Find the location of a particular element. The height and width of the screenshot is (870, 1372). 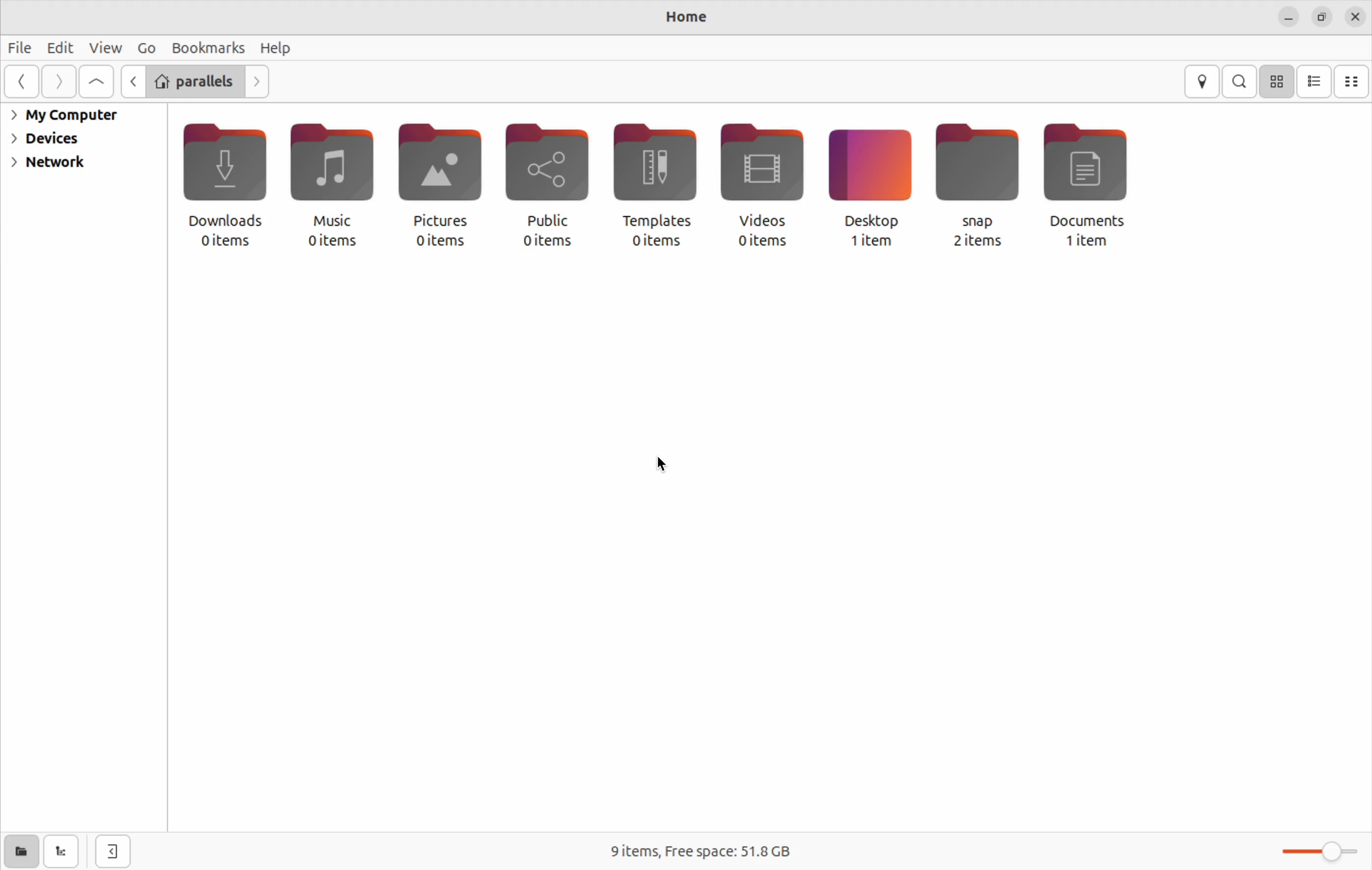

files is located at coordinates (22, 48).